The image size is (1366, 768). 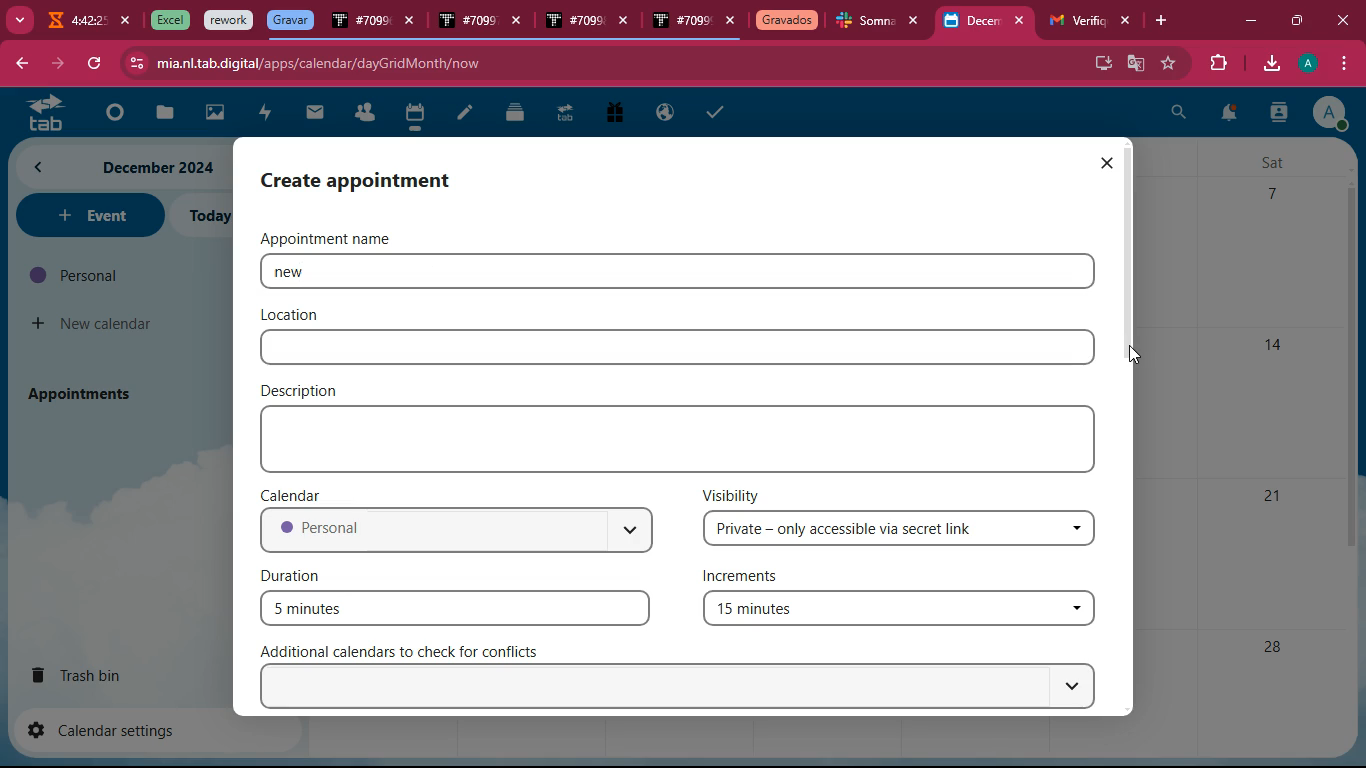 I want to click on image, so click(x=216, y=115).